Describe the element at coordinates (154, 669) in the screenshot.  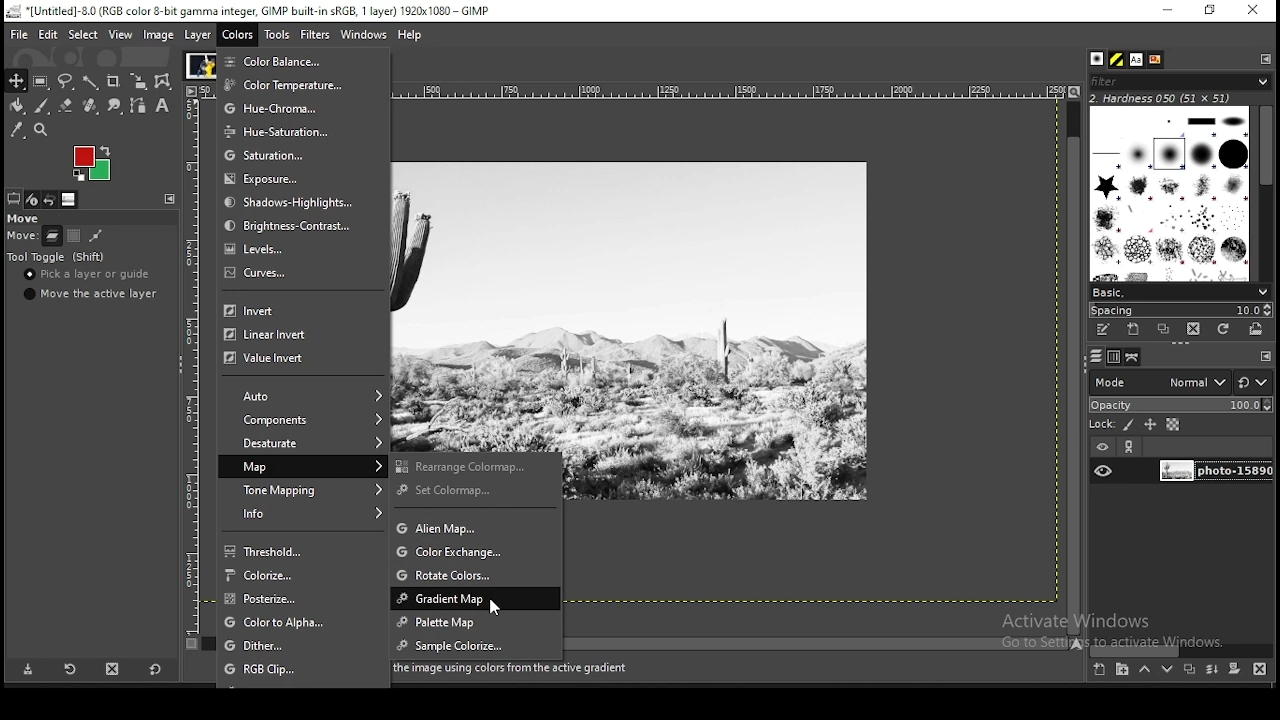
I see `reset to defaults` at that location.